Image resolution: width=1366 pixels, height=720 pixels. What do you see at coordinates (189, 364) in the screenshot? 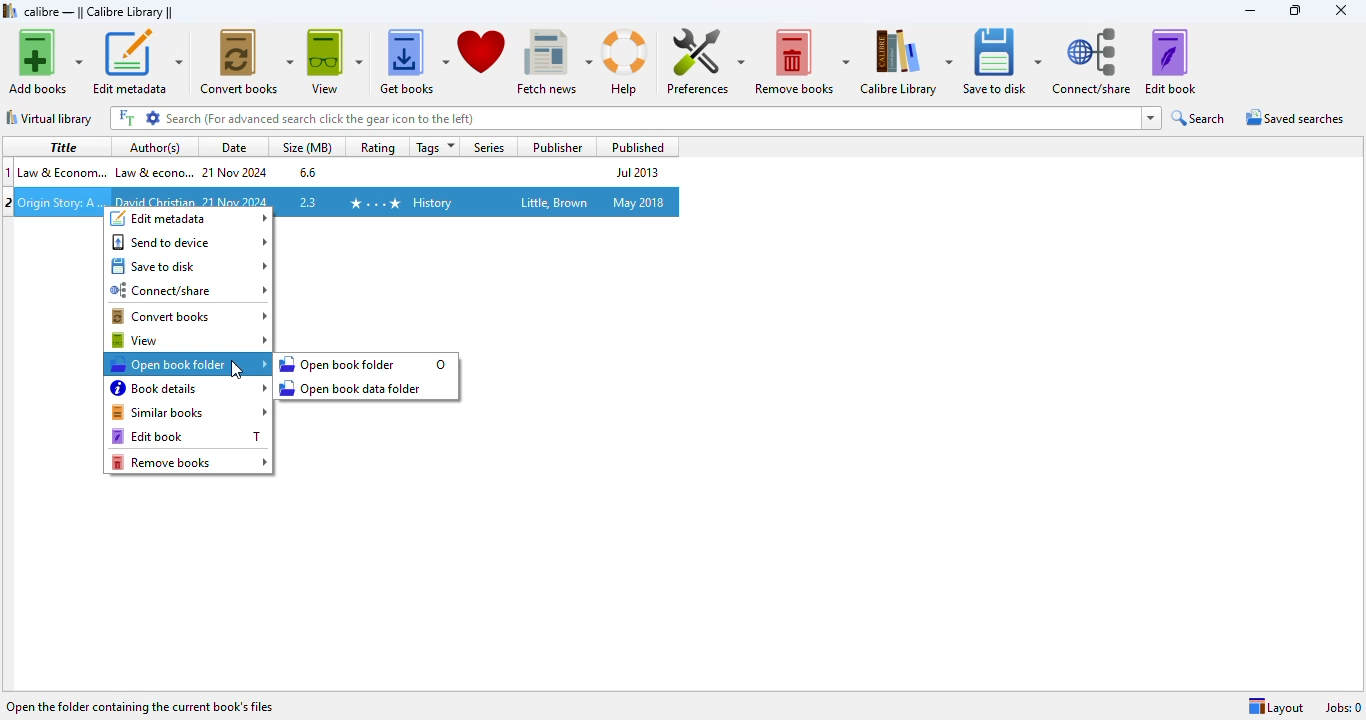
I see `open book folder` at bounding box center [189, 364].